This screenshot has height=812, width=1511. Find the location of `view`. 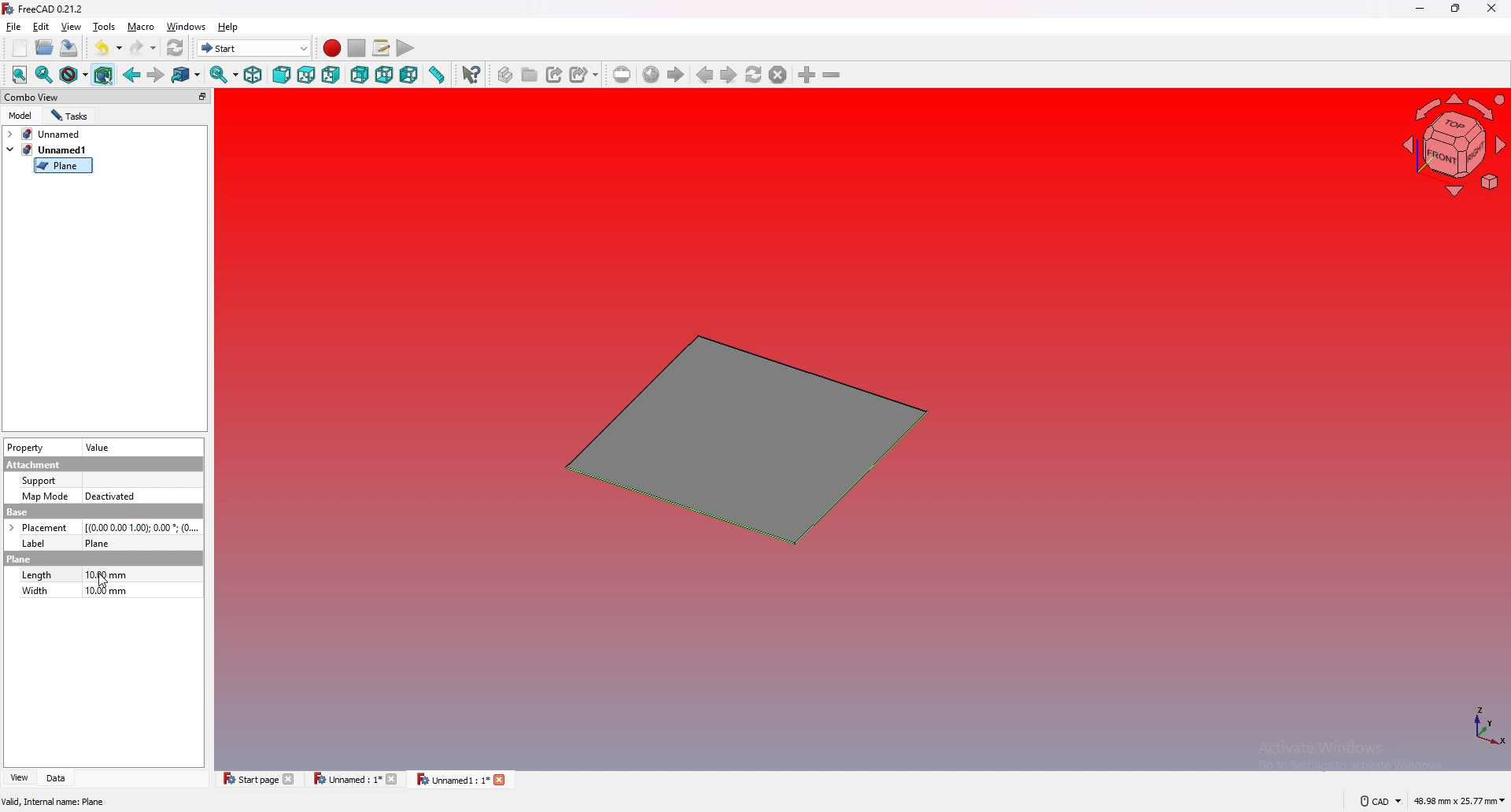

view is located at coordinates (72, 26).